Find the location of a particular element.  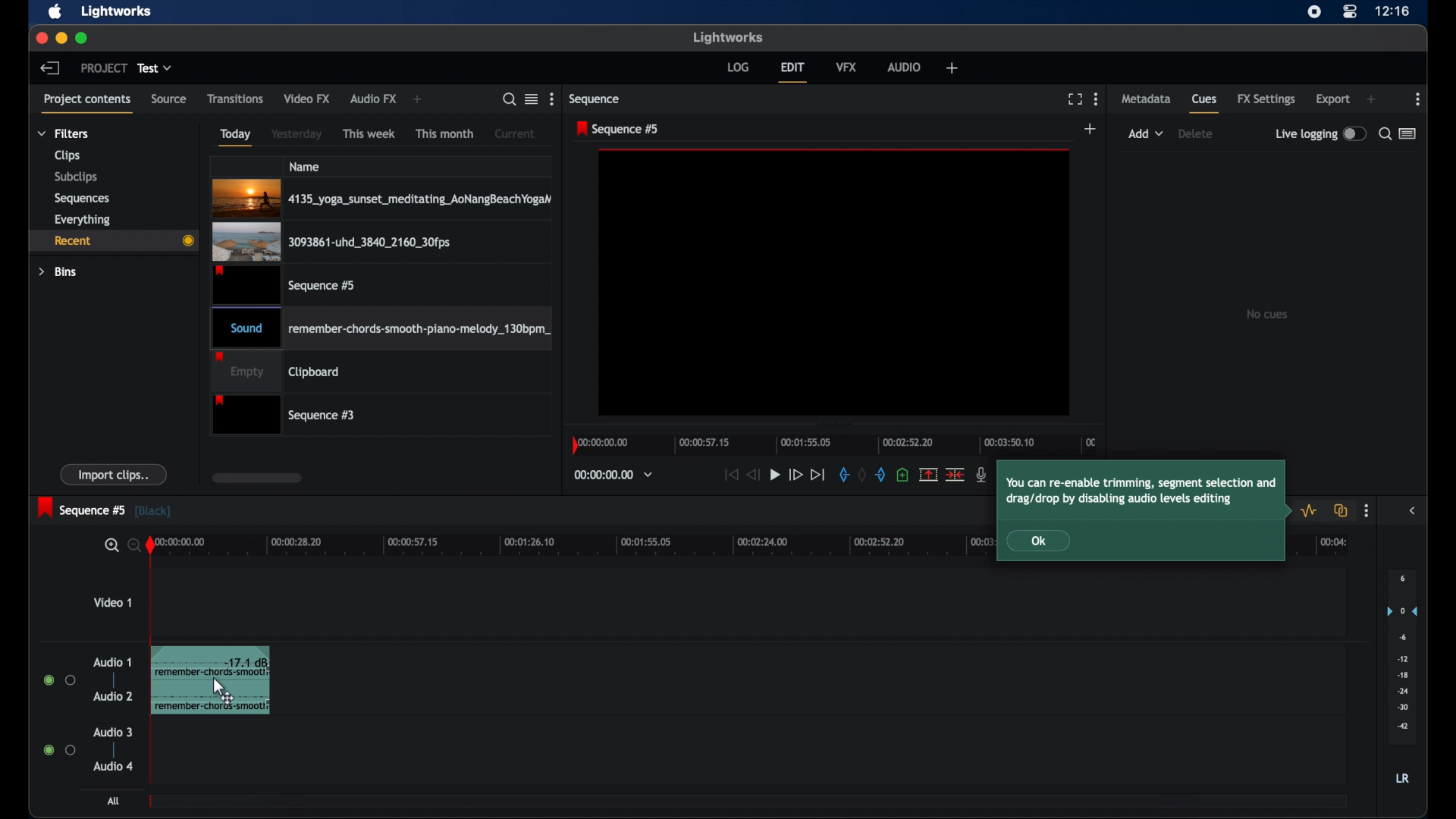

add a cue at current position is located at coordinates (902, 475).